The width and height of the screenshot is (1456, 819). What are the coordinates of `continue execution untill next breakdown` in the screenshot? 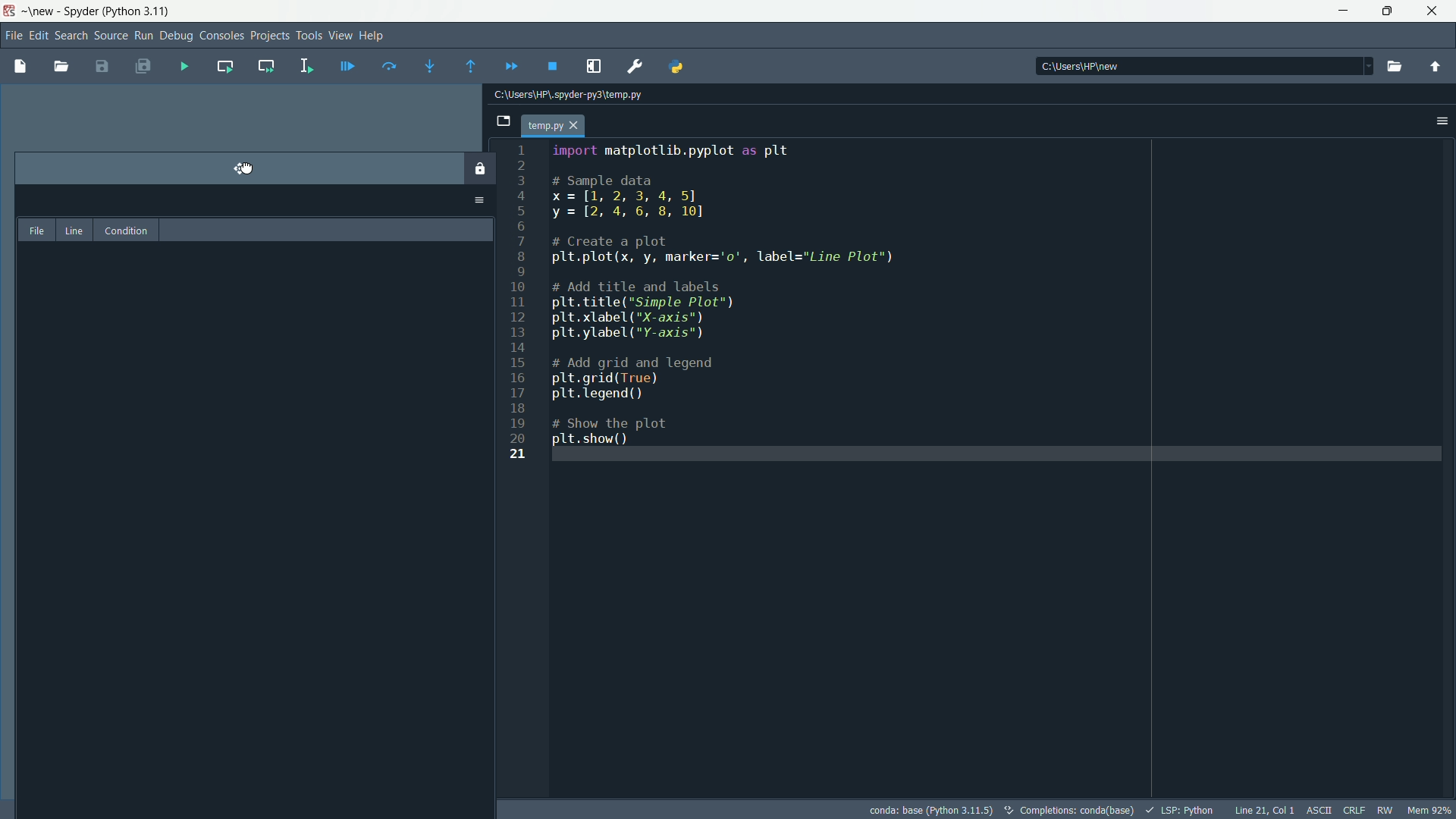 It's located at (508, 65).